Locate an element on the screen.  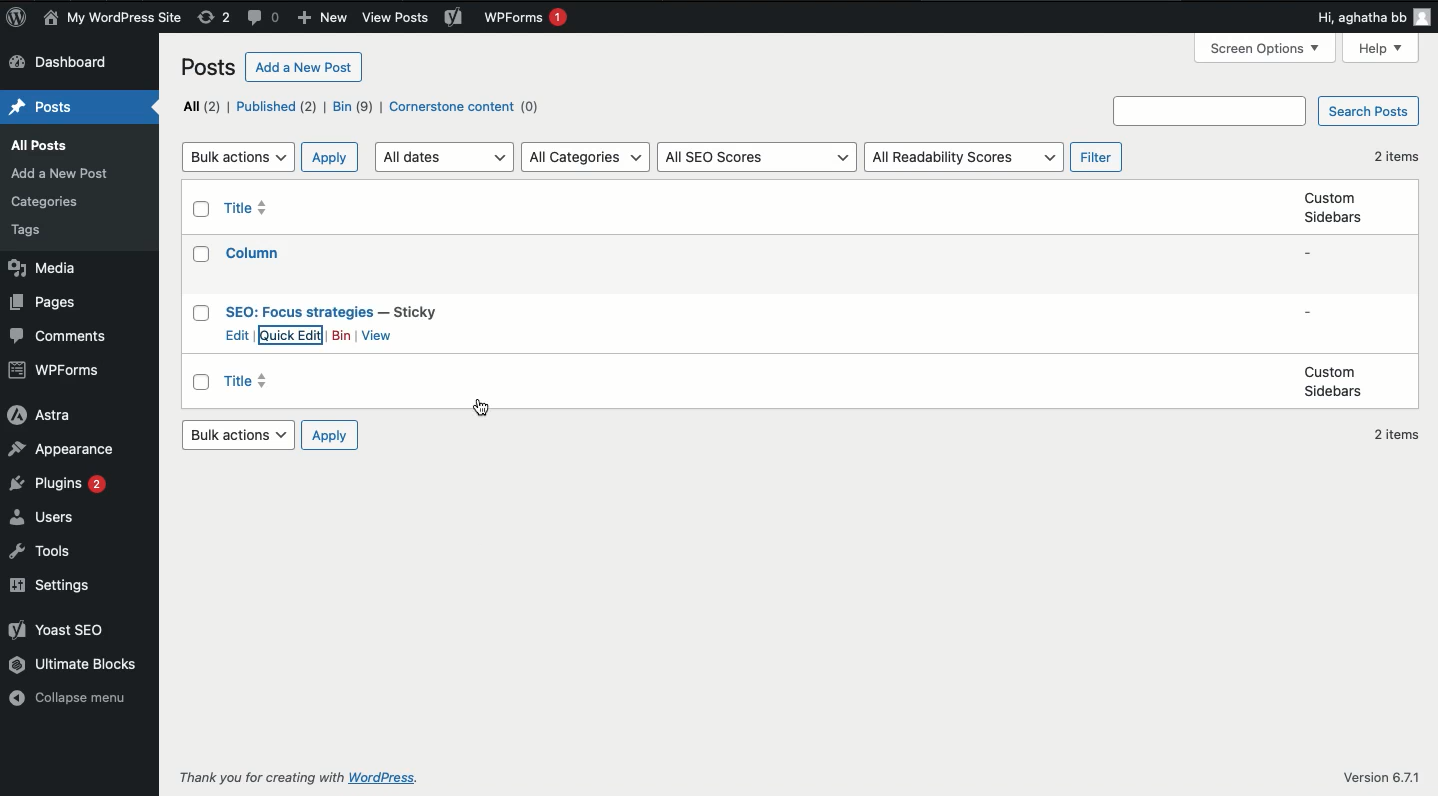
Comments is located at coordinates (266, 19).